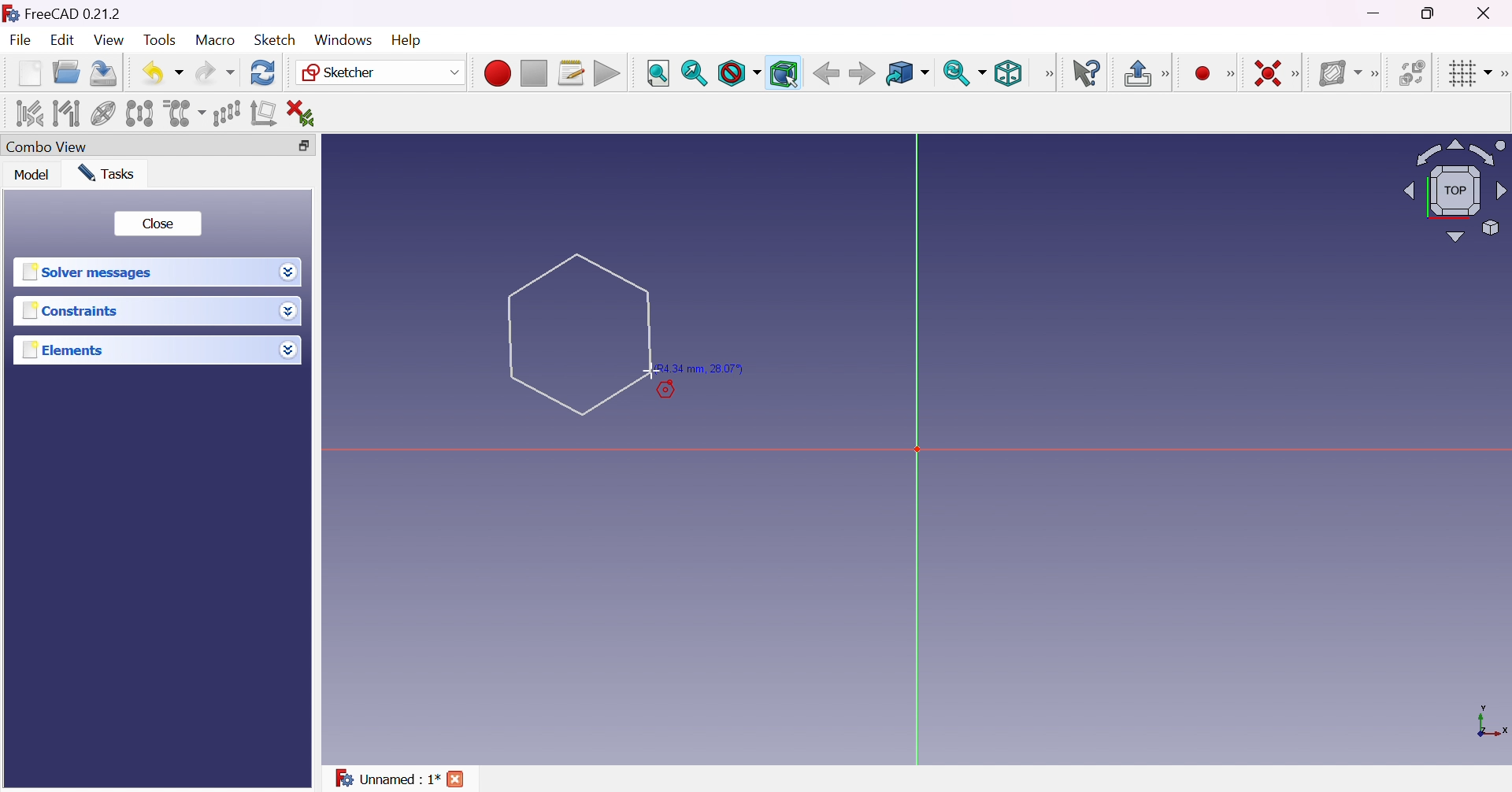 The height and width of the screenshot is (792, 1512). What do you see at coordinates (702, 369) in the screenshot?
I see `(R4.34 mm, 28.07°)` at bounding box center [702, 369].